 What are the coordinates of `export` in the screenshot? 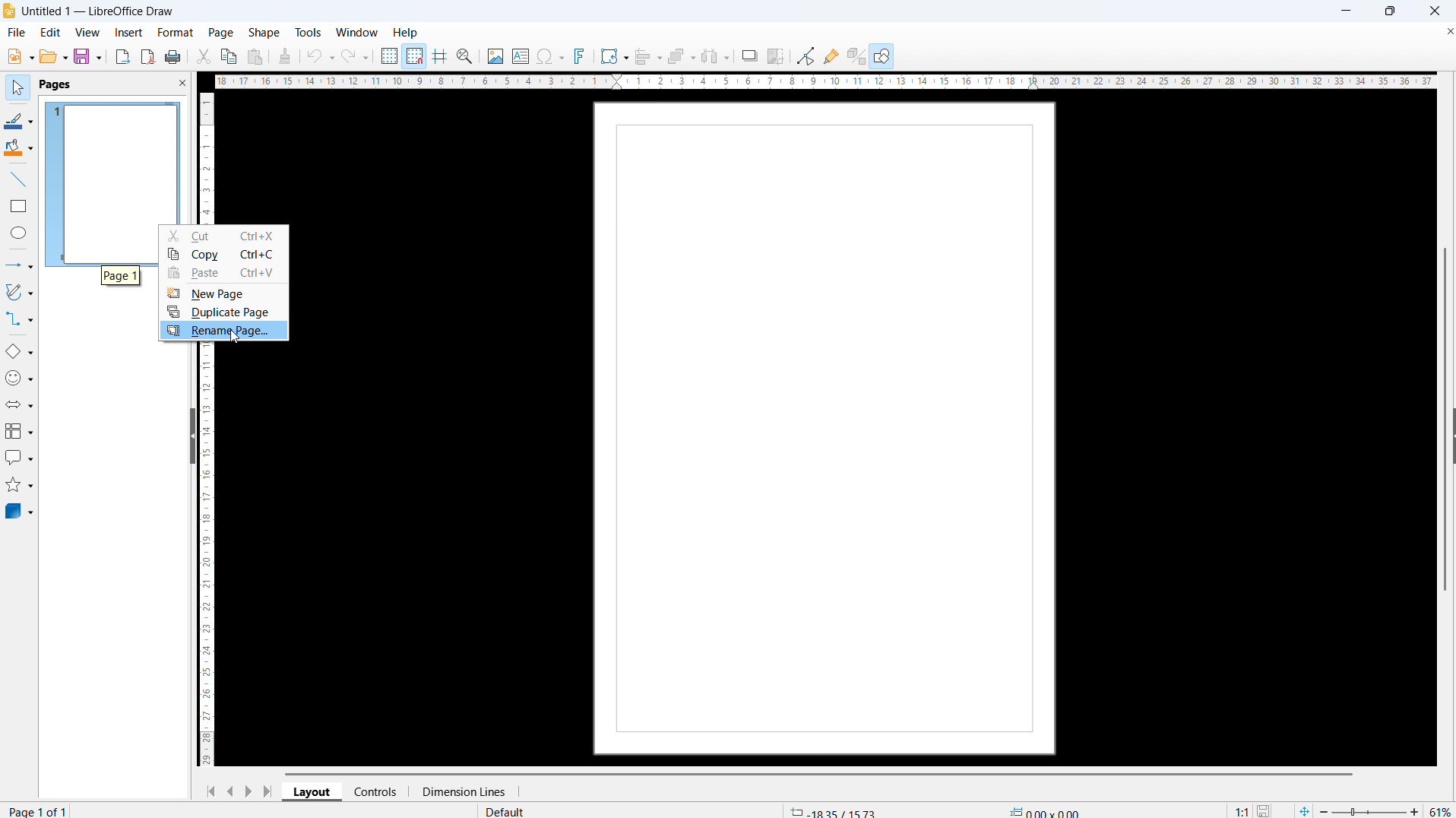 It's located at (123, 57).